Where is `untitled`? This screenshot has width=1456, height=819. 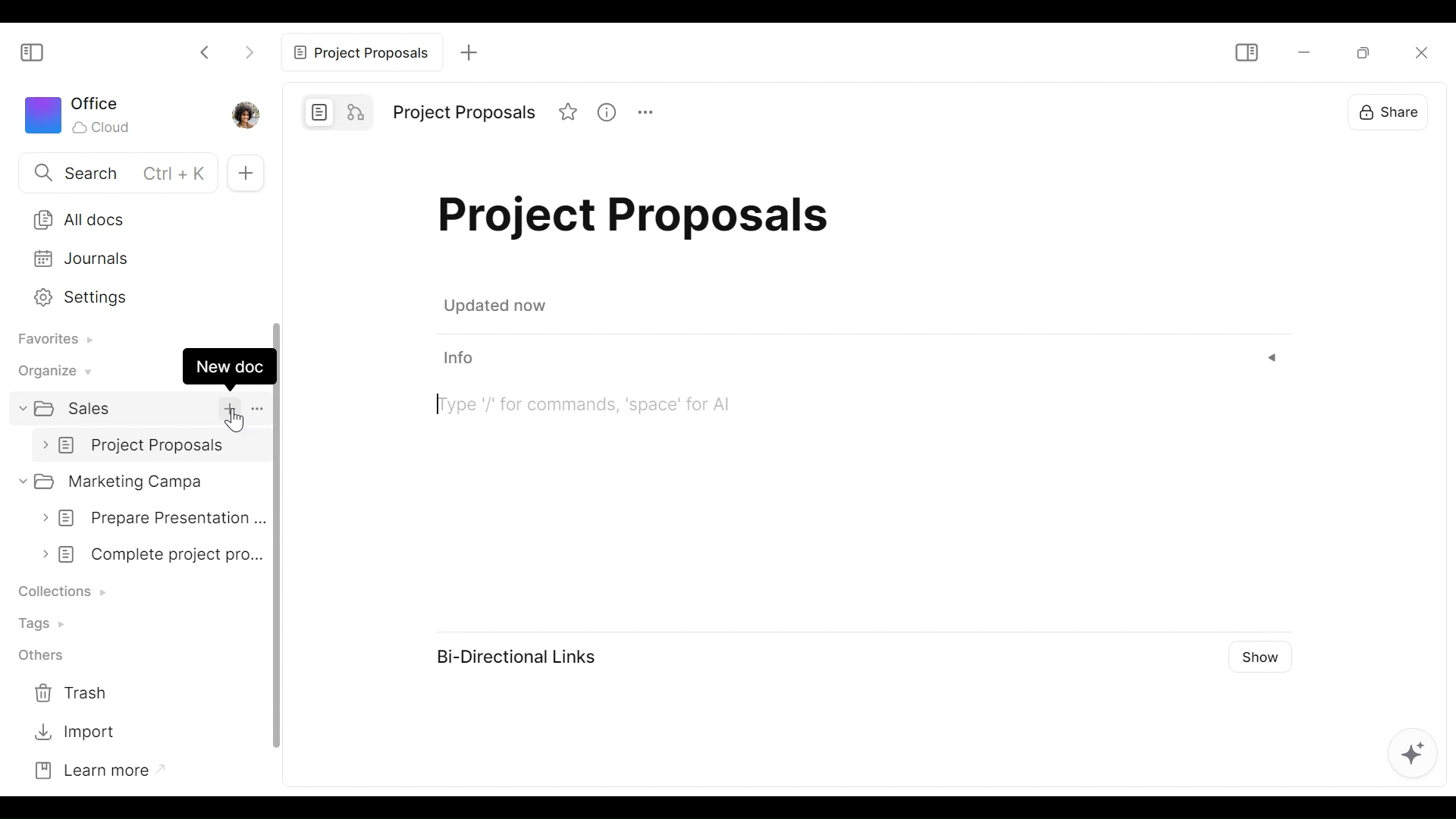
untitled is located at coordinates (149, 445).